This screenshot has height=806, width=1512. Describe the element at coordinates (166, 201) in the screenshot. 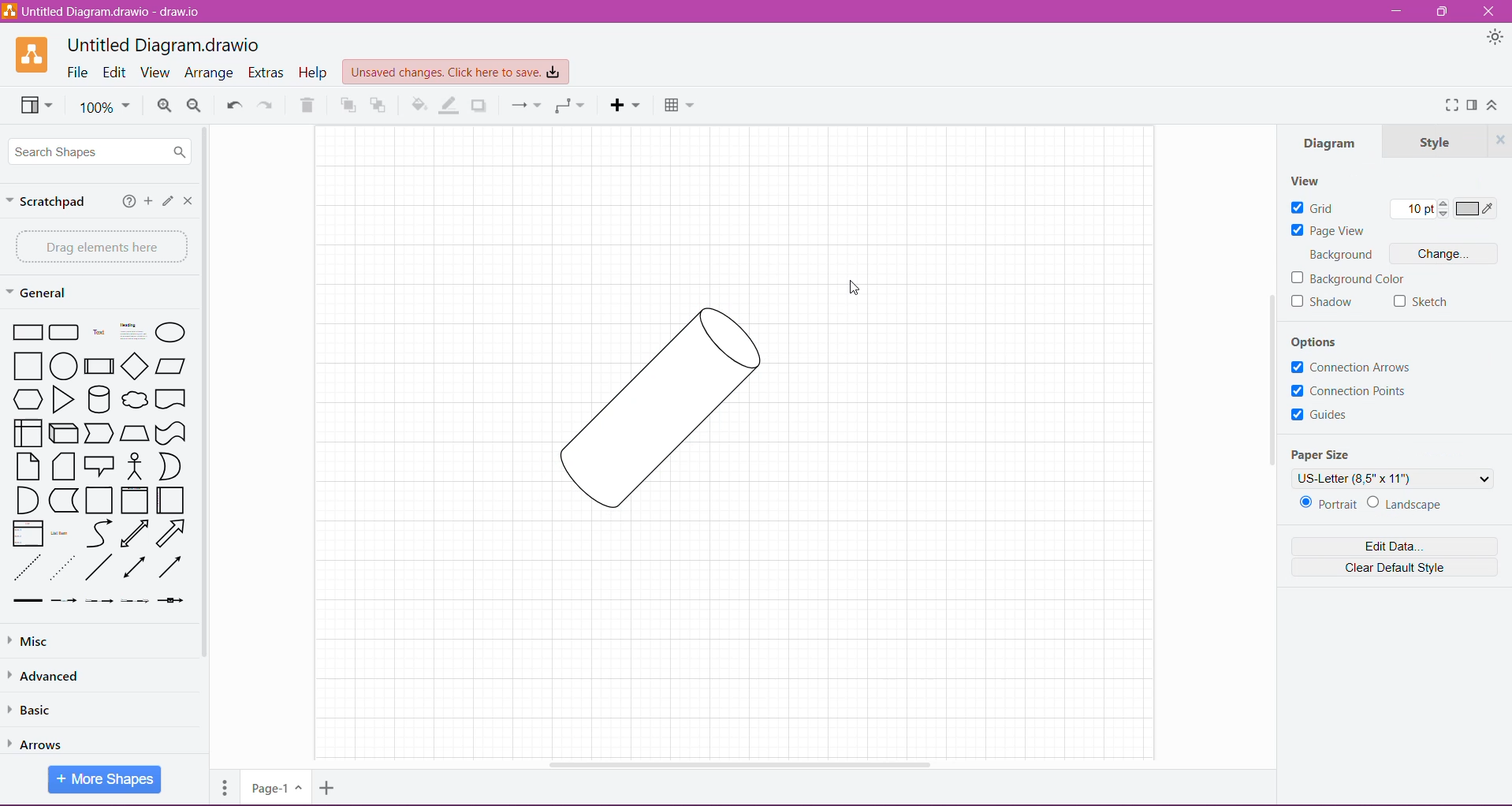

I see `Edit` at that location.